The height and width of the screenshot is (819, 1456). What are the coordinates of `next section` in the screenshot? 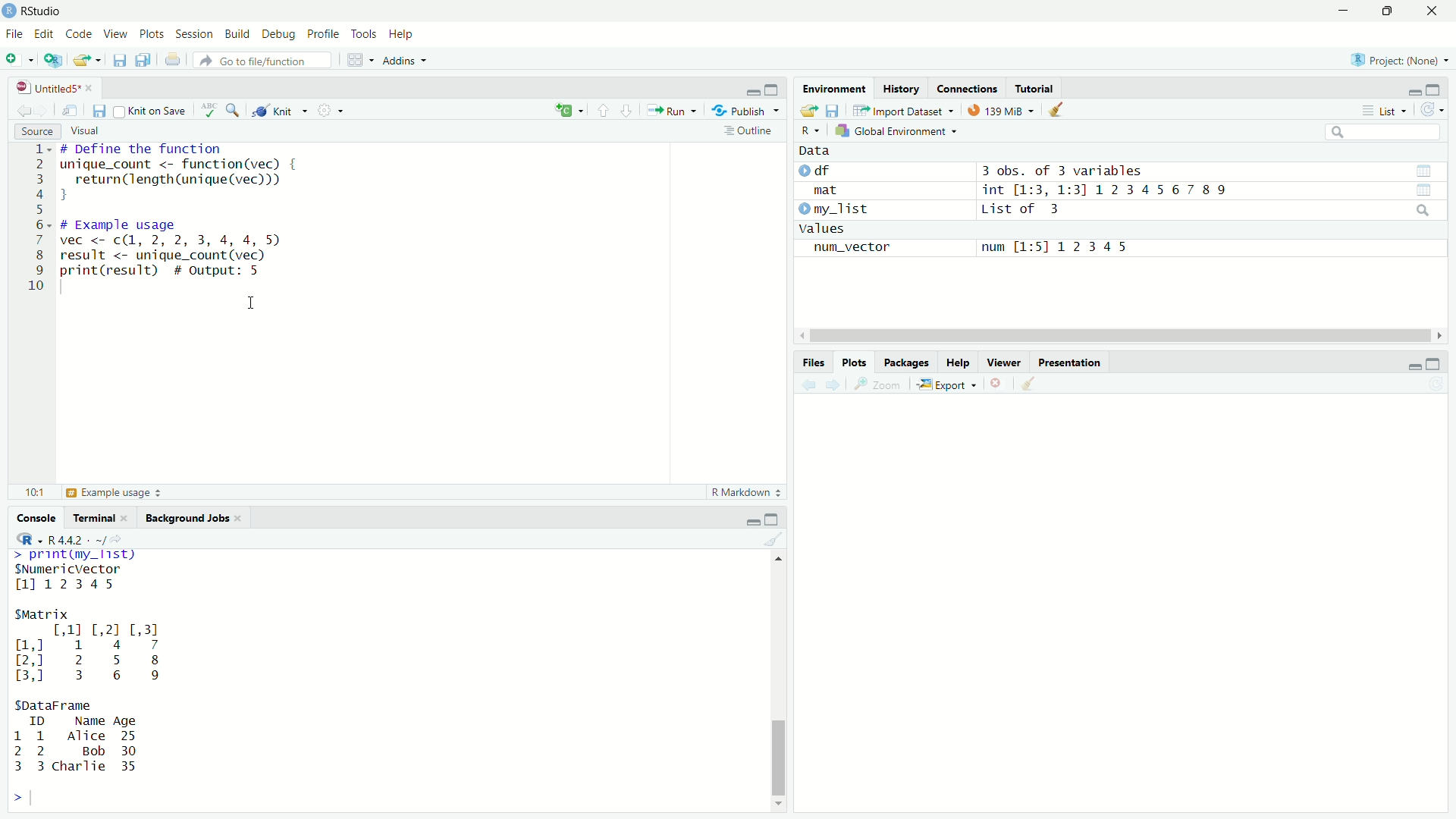 It's located at (626, 111).